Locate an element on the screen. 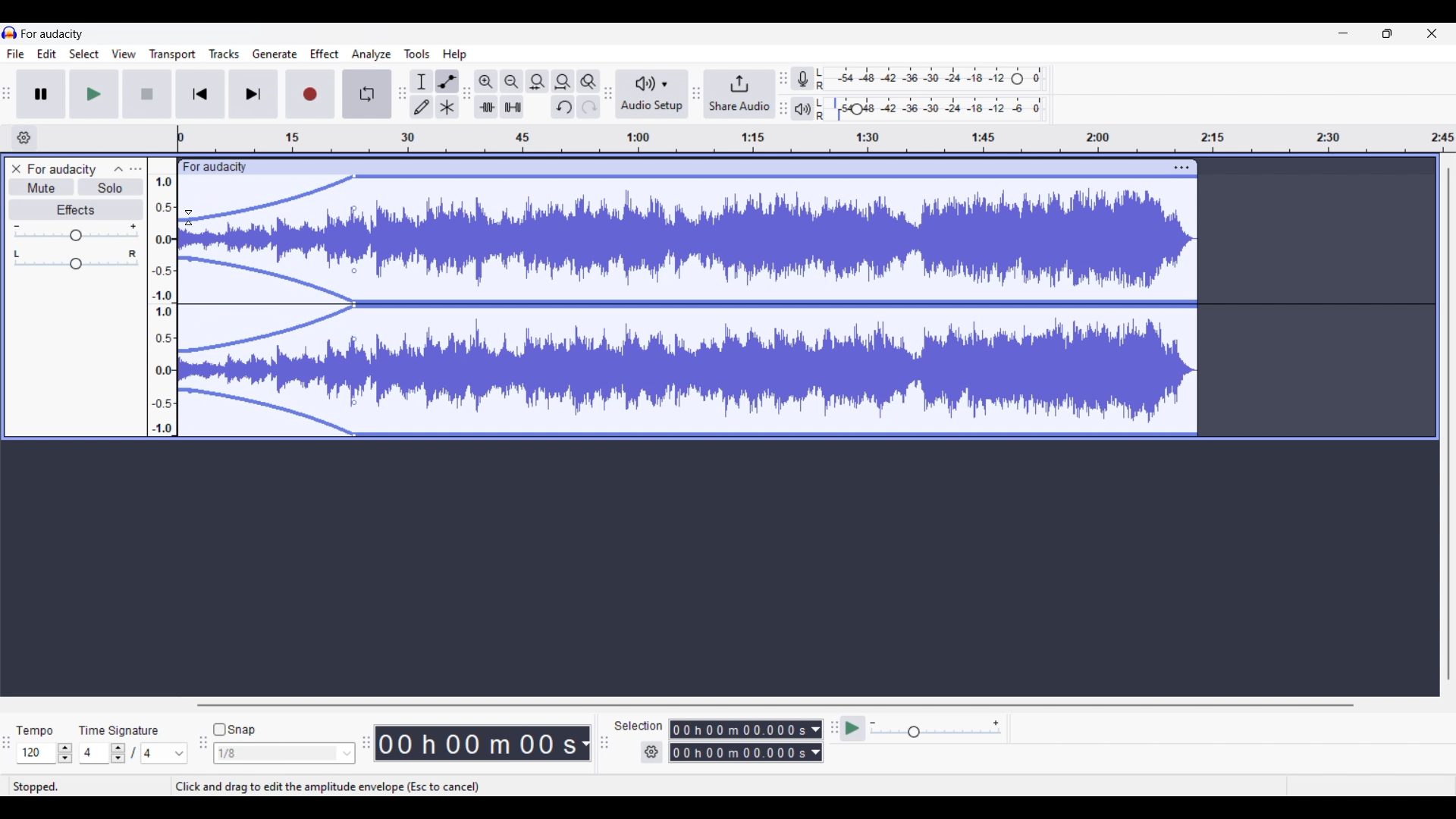  Select is located at coordinates (84, 54).